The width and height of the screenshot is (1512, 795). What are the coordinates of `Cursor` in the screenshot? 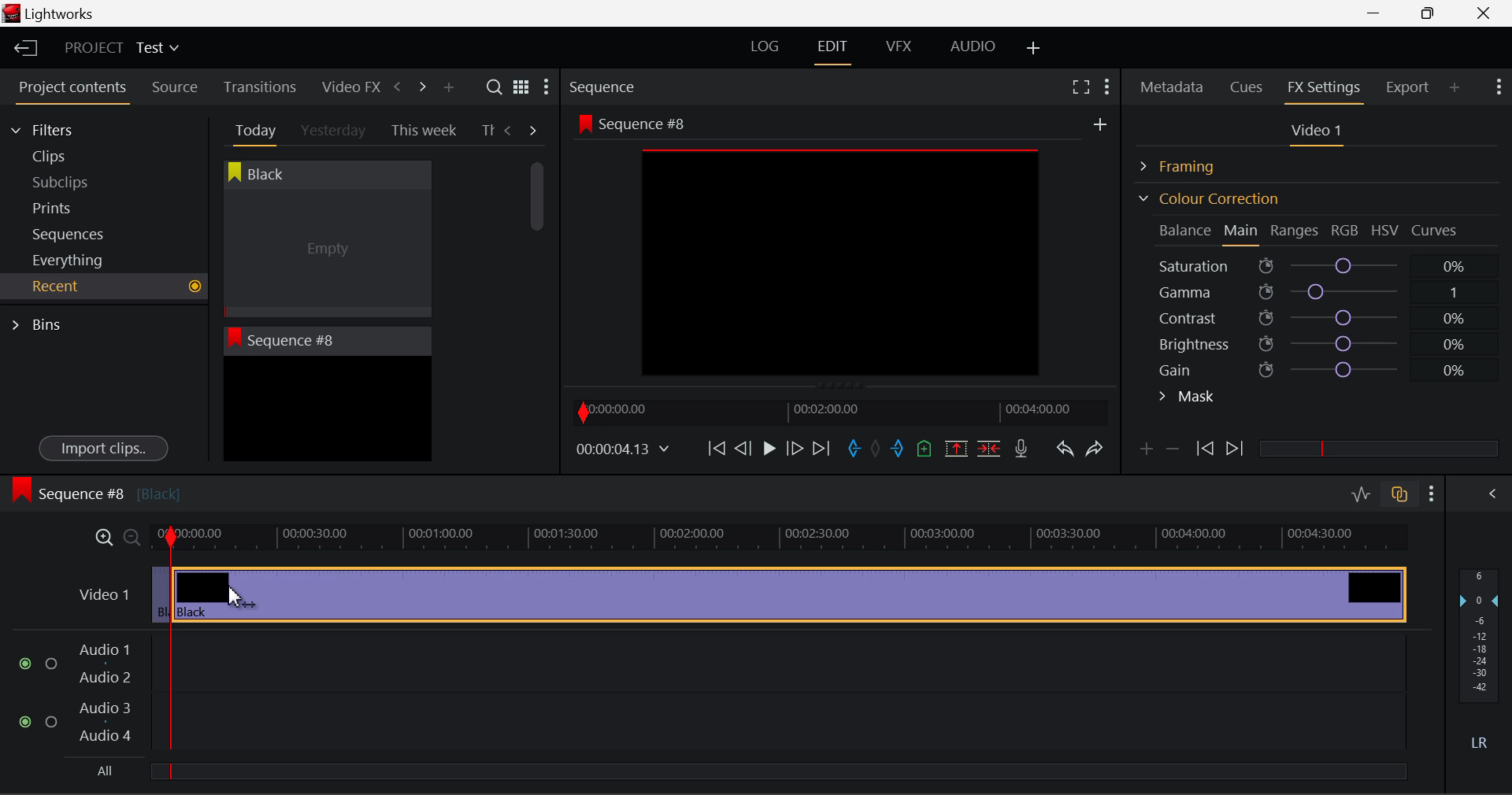 It's located at (237, 597).